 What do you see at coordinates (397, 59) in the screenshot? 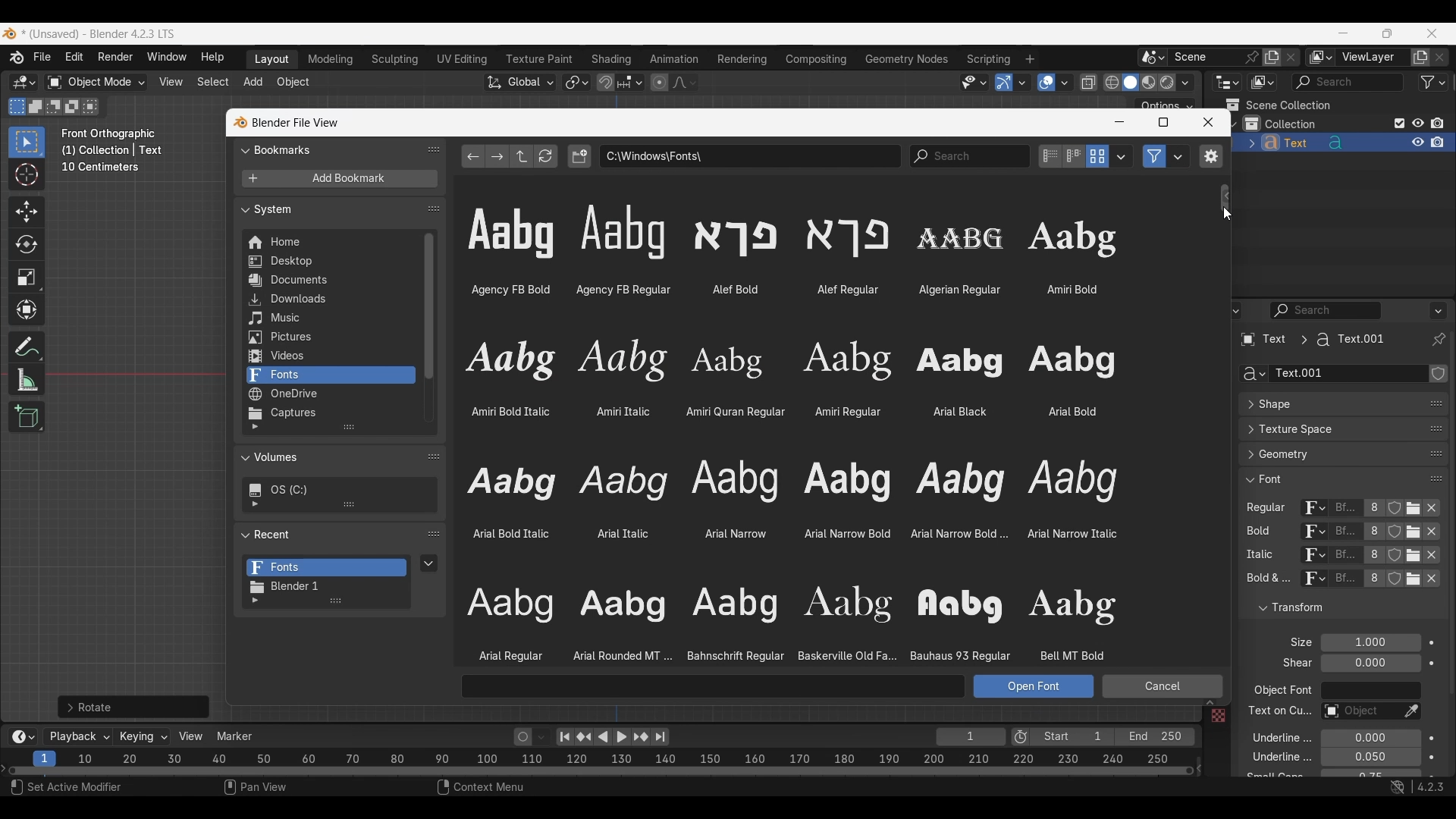
I see `Sculpting workspace` at bounding box center [397, 59].